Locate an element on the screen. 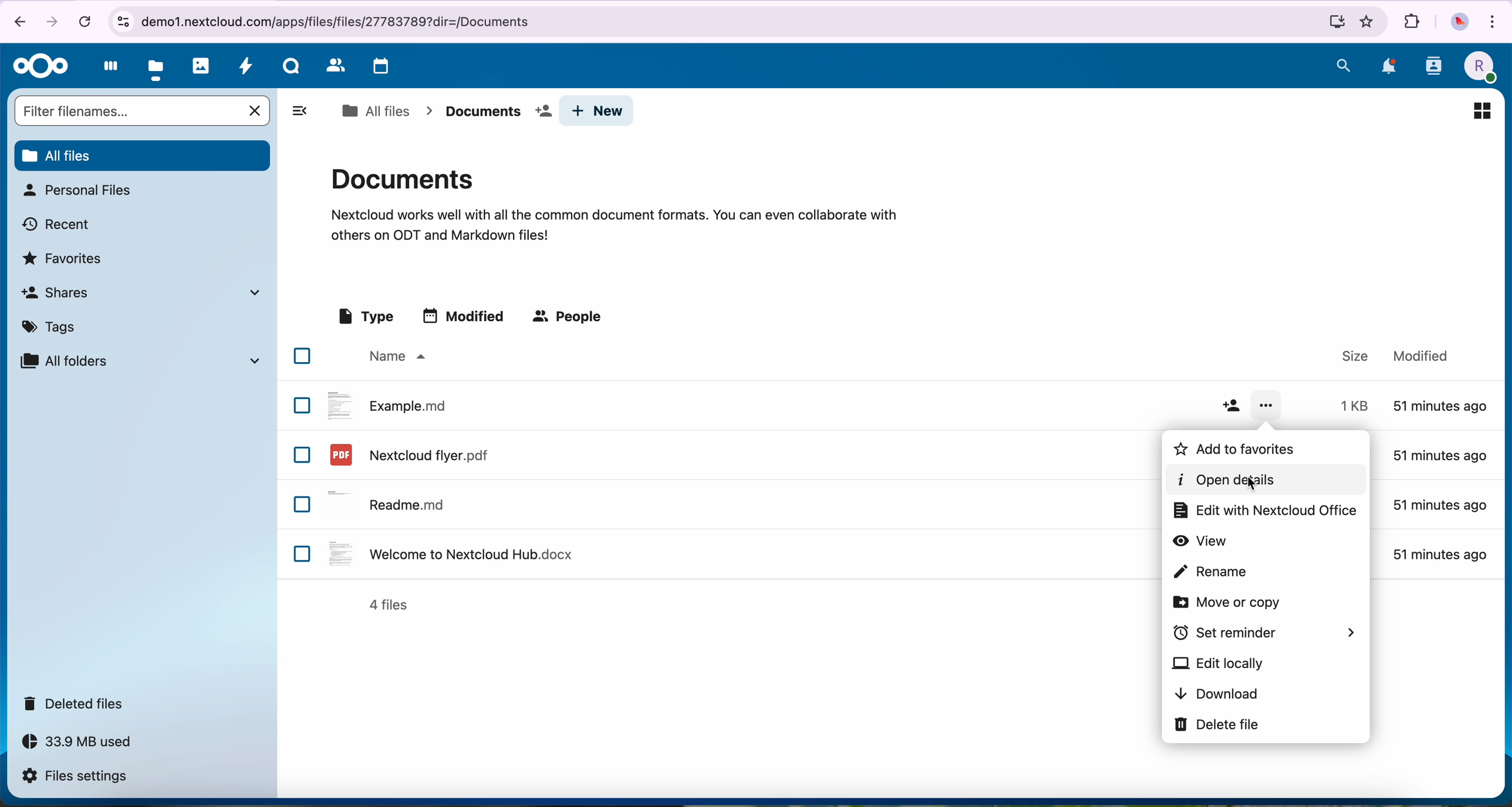  customize and control Google Chrome is located at coordinates (1496, 20).